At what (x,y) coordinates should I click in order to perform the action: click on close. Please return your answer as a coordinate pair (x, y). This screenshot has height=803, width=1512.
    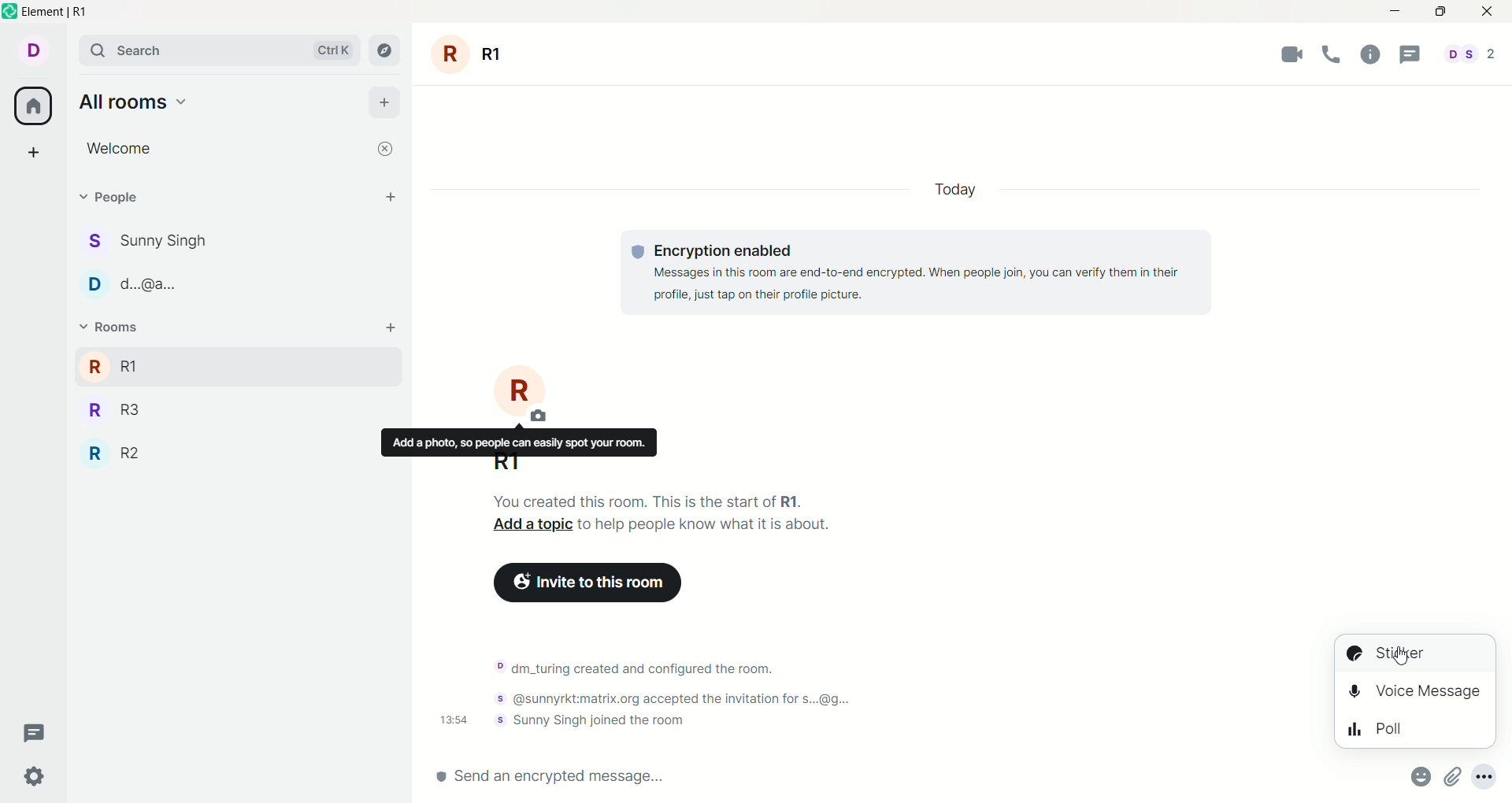
    Looking at the image, I should click on (1488, 12).